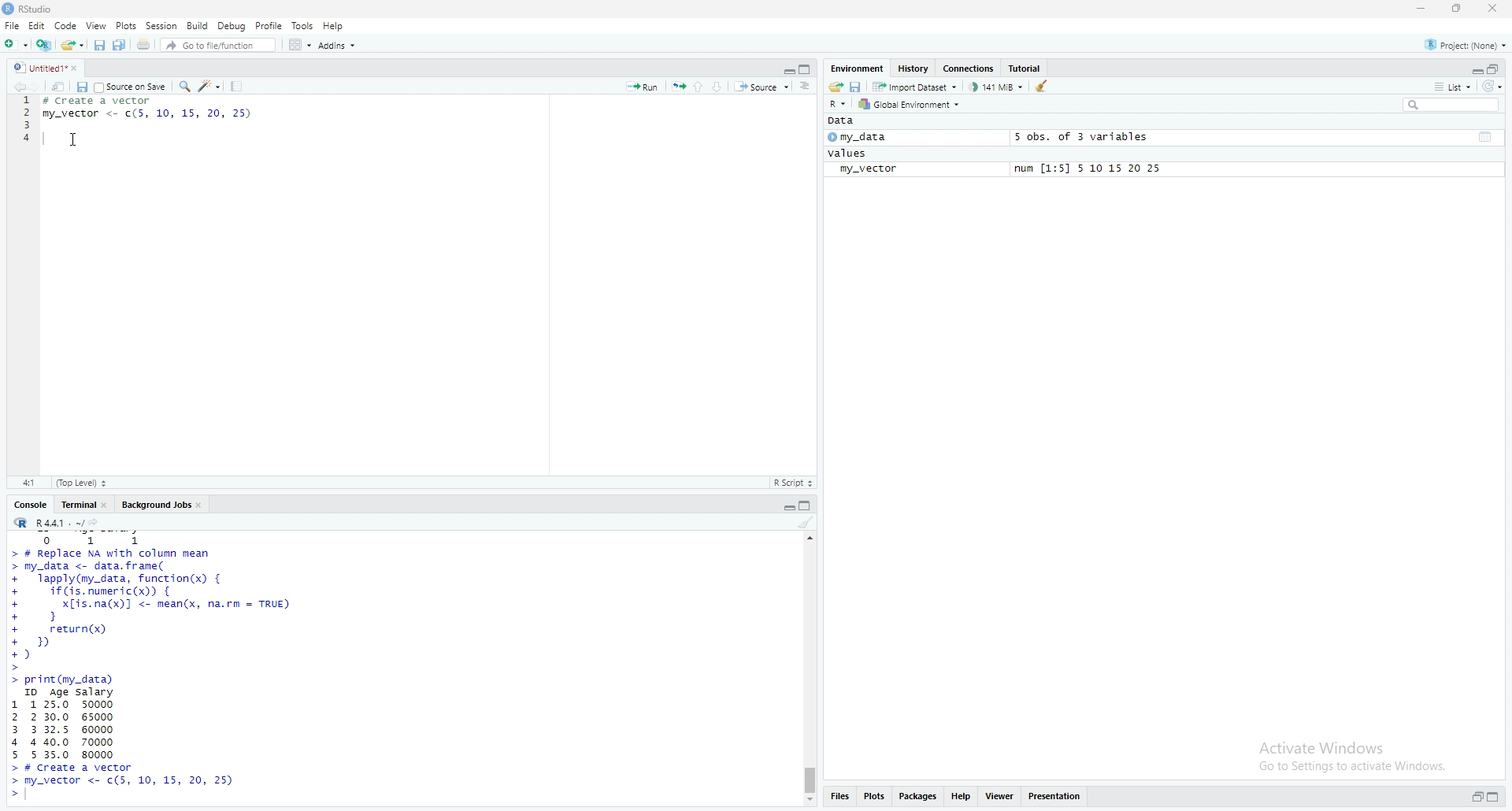 The height and width of the screenshot is (811, 1512). Describe the element at coordinates (28, 483) in the screenshot. I see `4:1` at that location.